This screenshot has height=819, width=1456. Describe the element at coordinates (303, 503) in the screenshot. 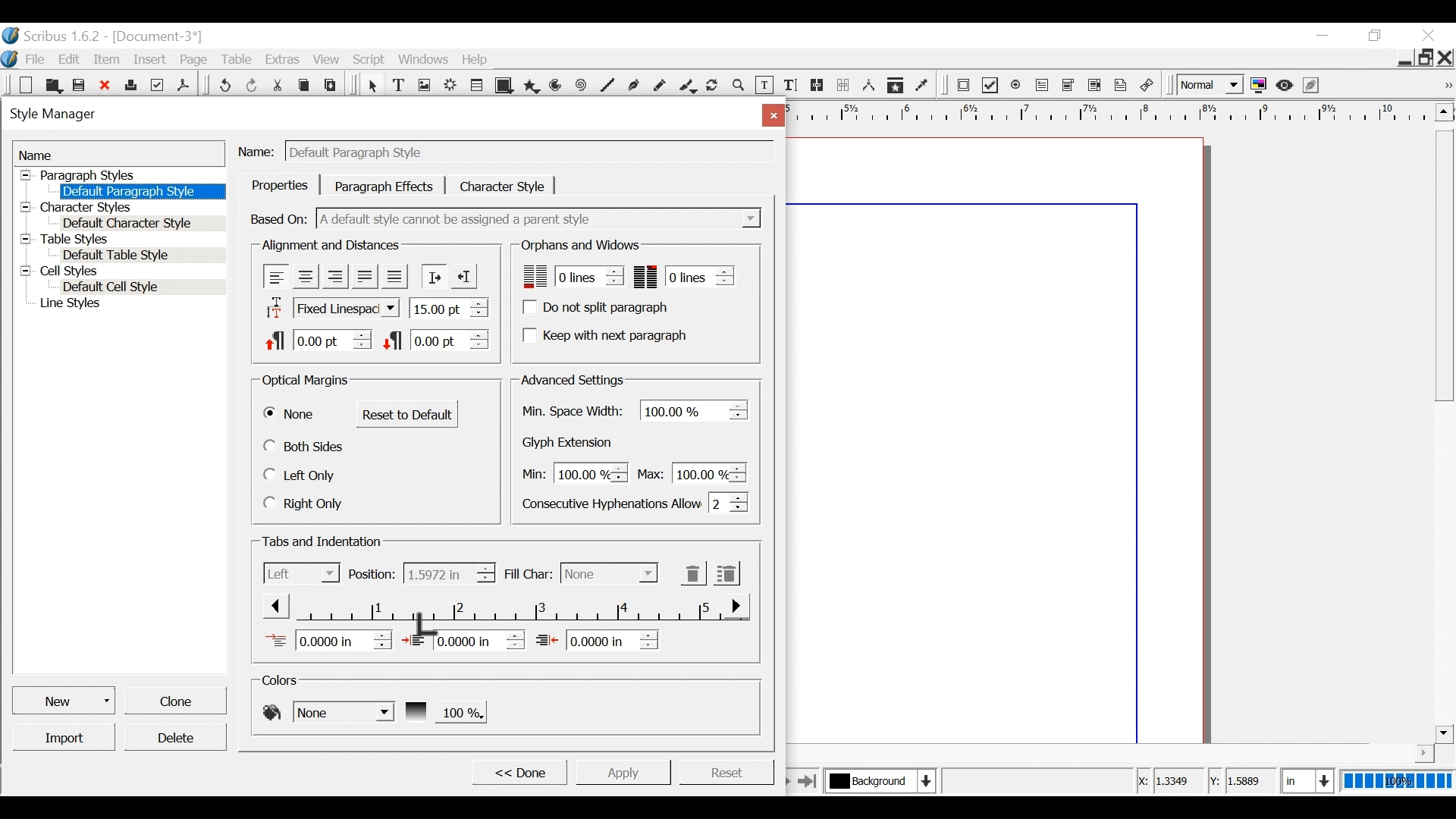

I see `(un)select Right only` at that location.